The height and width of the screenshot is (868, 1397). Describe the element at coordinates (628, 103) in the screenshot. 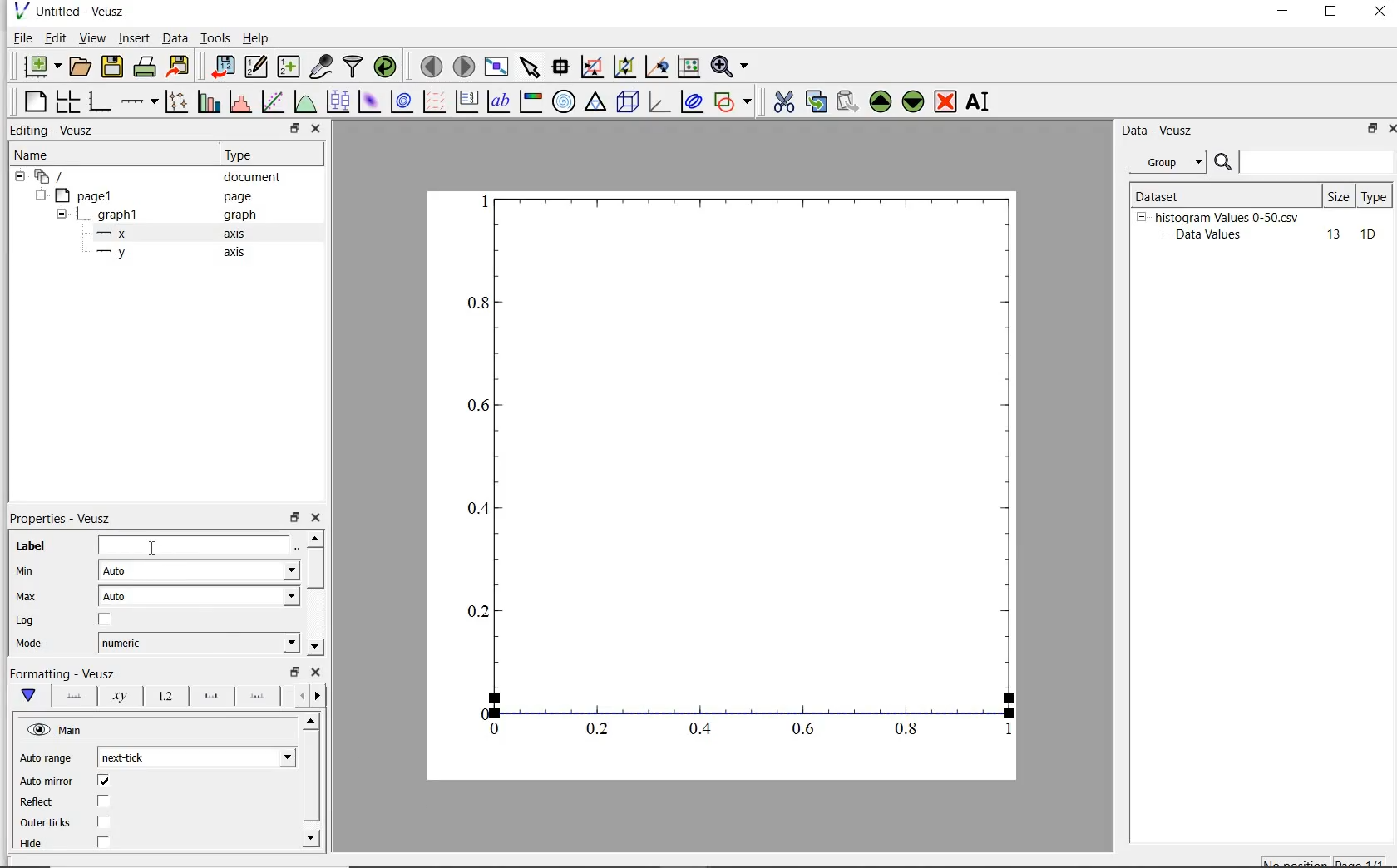

I see `3d scene` at that location.